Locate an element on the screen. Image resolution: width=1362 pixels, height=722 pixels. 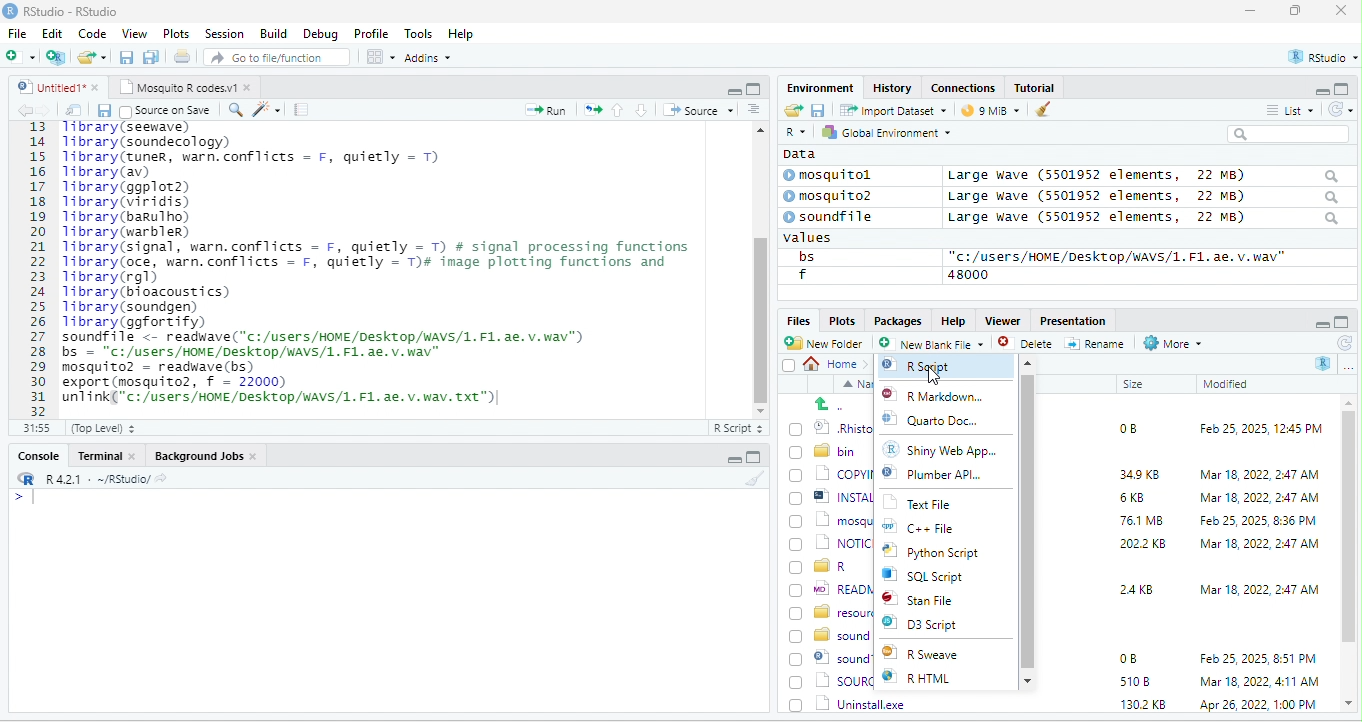
© soundfile is located at coordinates (837, 216).